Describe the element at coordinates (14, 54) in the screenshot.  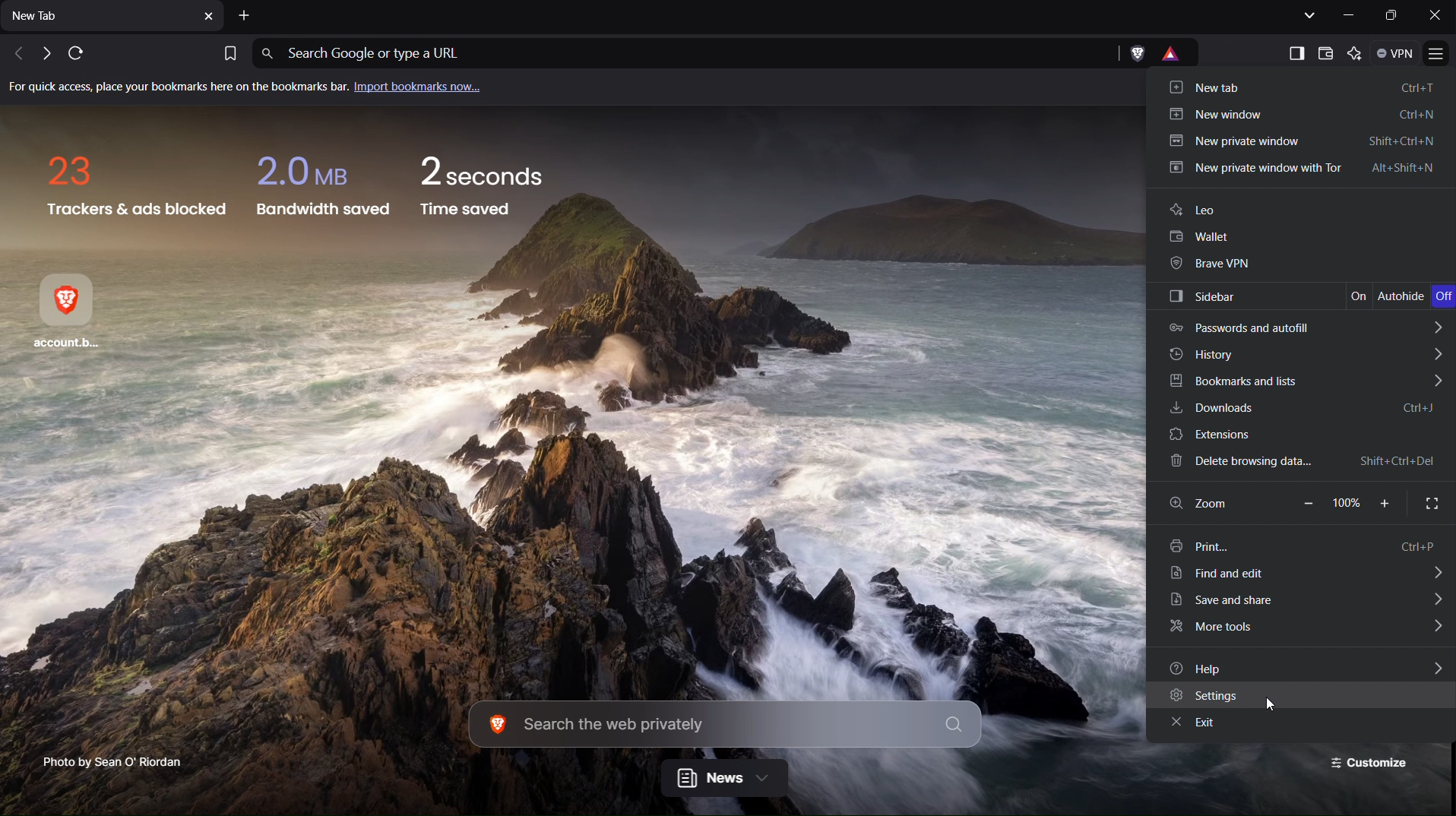
I see `Back` at that location.